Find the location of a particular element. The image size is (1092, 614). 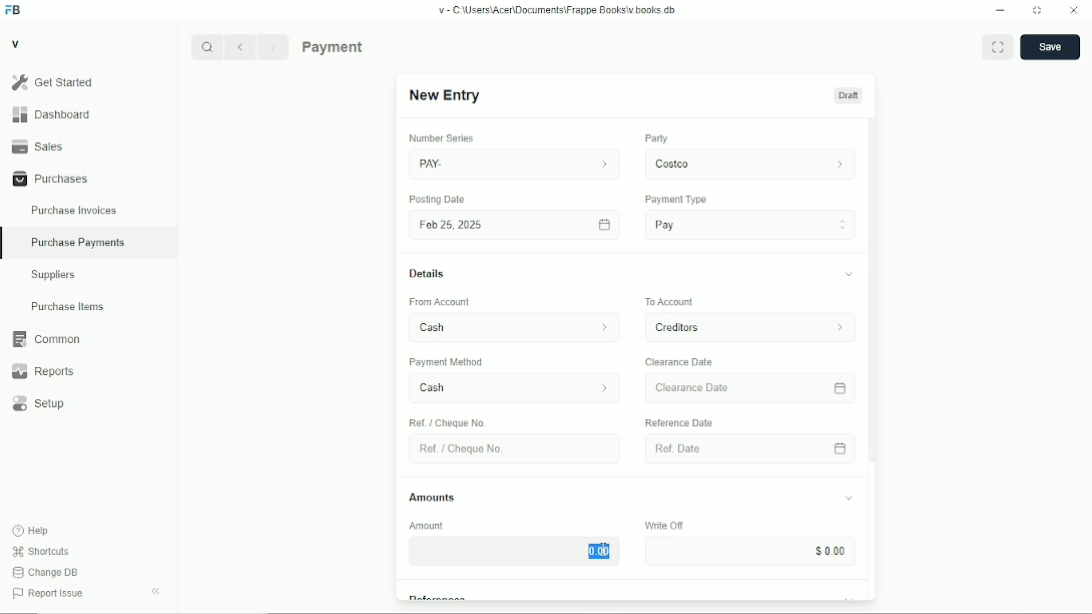

Amounts is located at coordinates (433, 493).